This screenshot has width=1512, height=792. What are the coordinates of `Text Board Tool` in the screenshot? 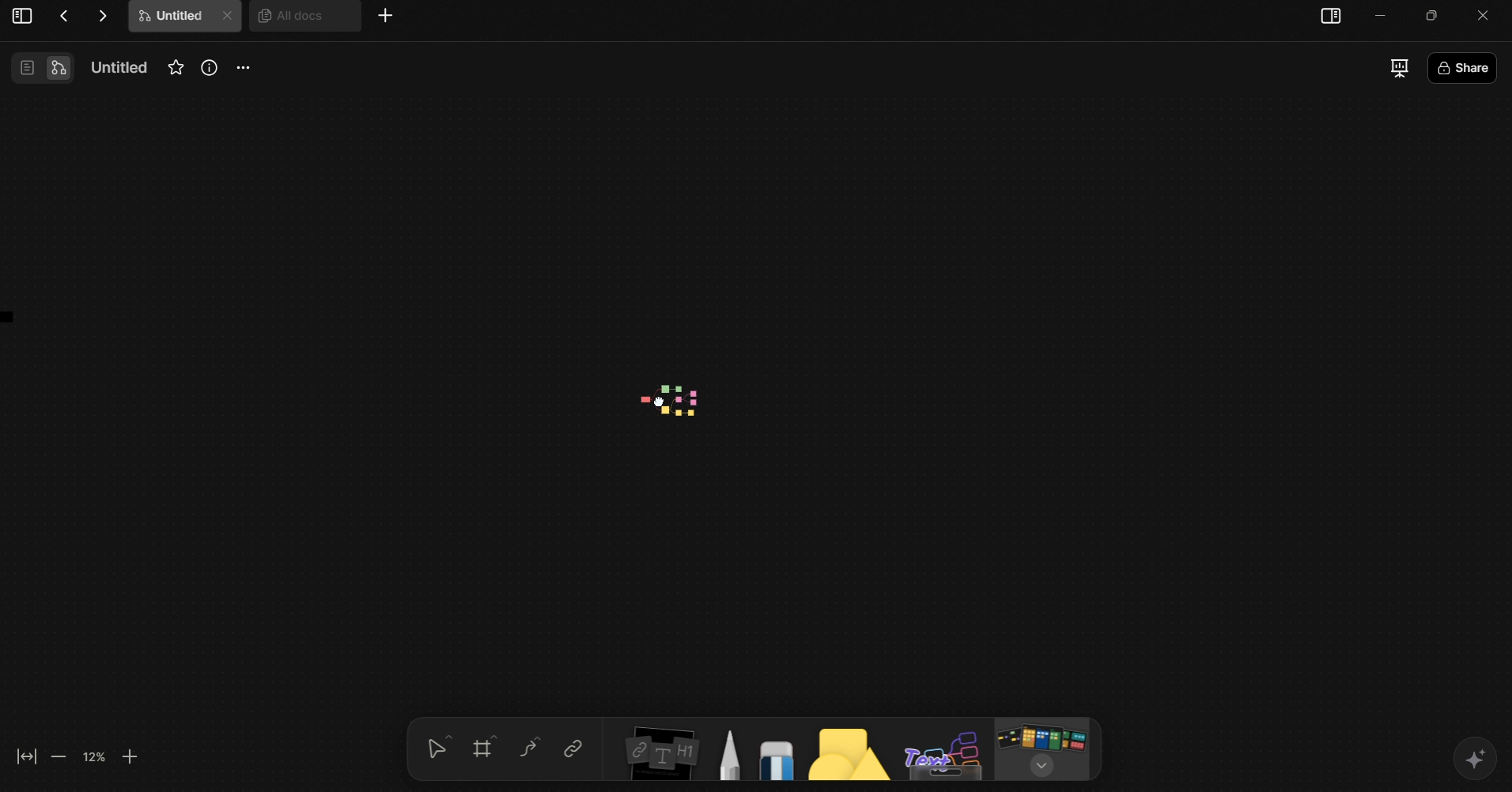 It's located at (944, 752).